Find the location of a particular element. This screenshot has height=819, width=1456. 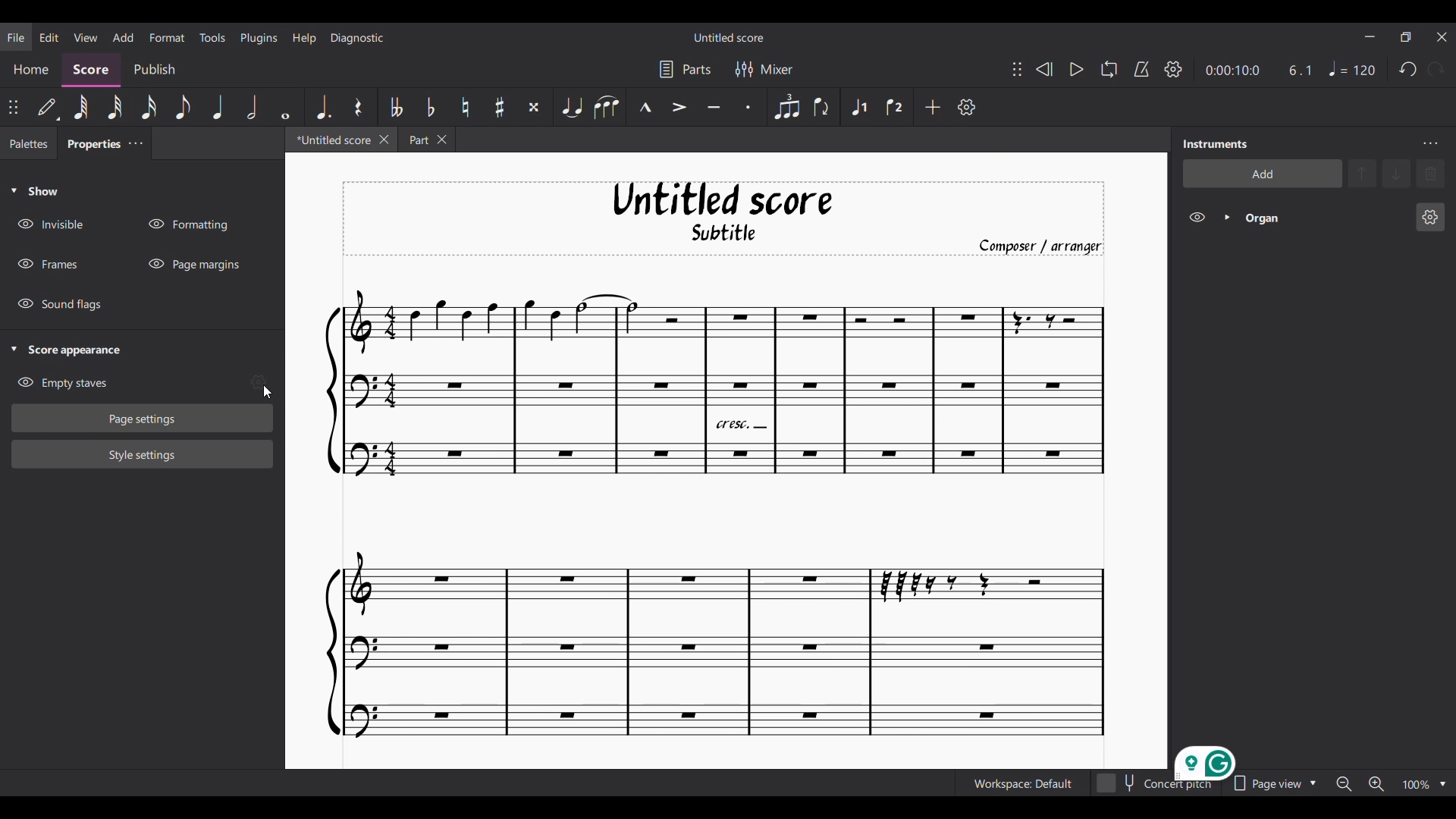

Style settings is located at coordinates (143, 455).